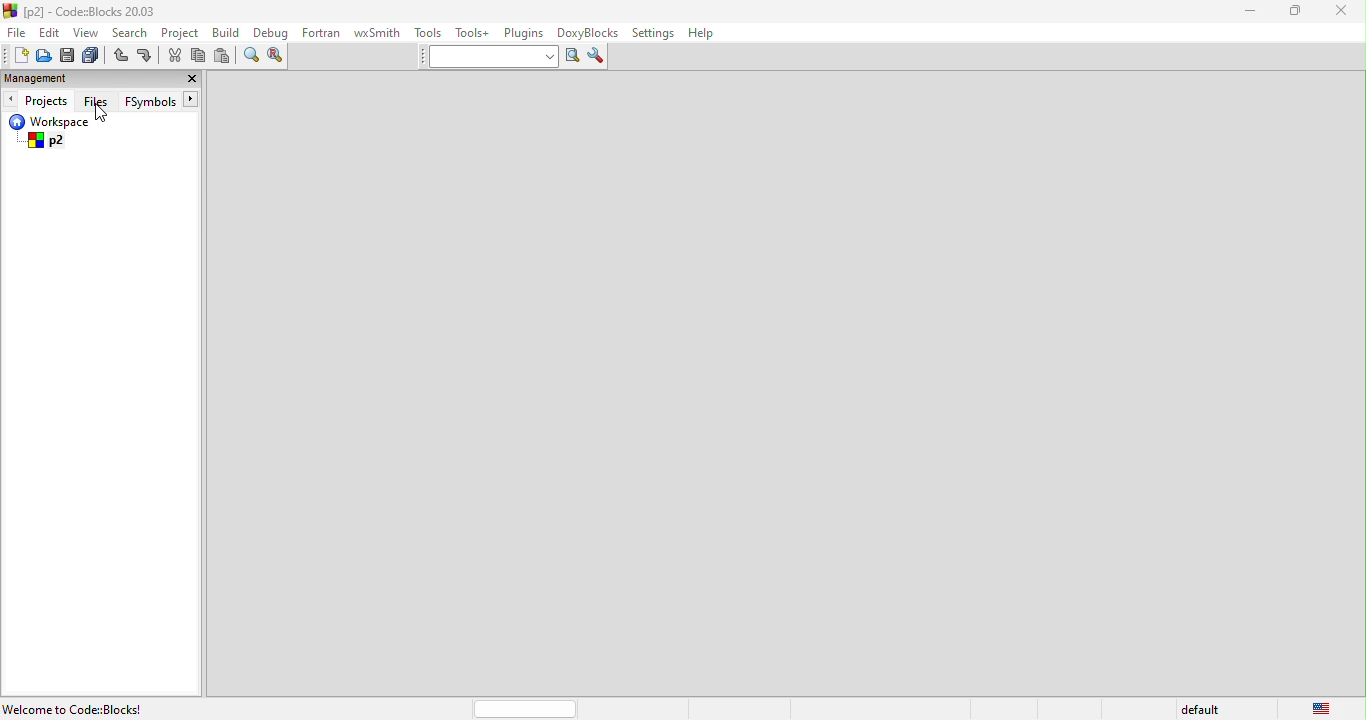 The image size is (1366, 720). What do you see at coordinates (18, 33) in the screenshot?
I see `file` at bounding box center [18, 33].